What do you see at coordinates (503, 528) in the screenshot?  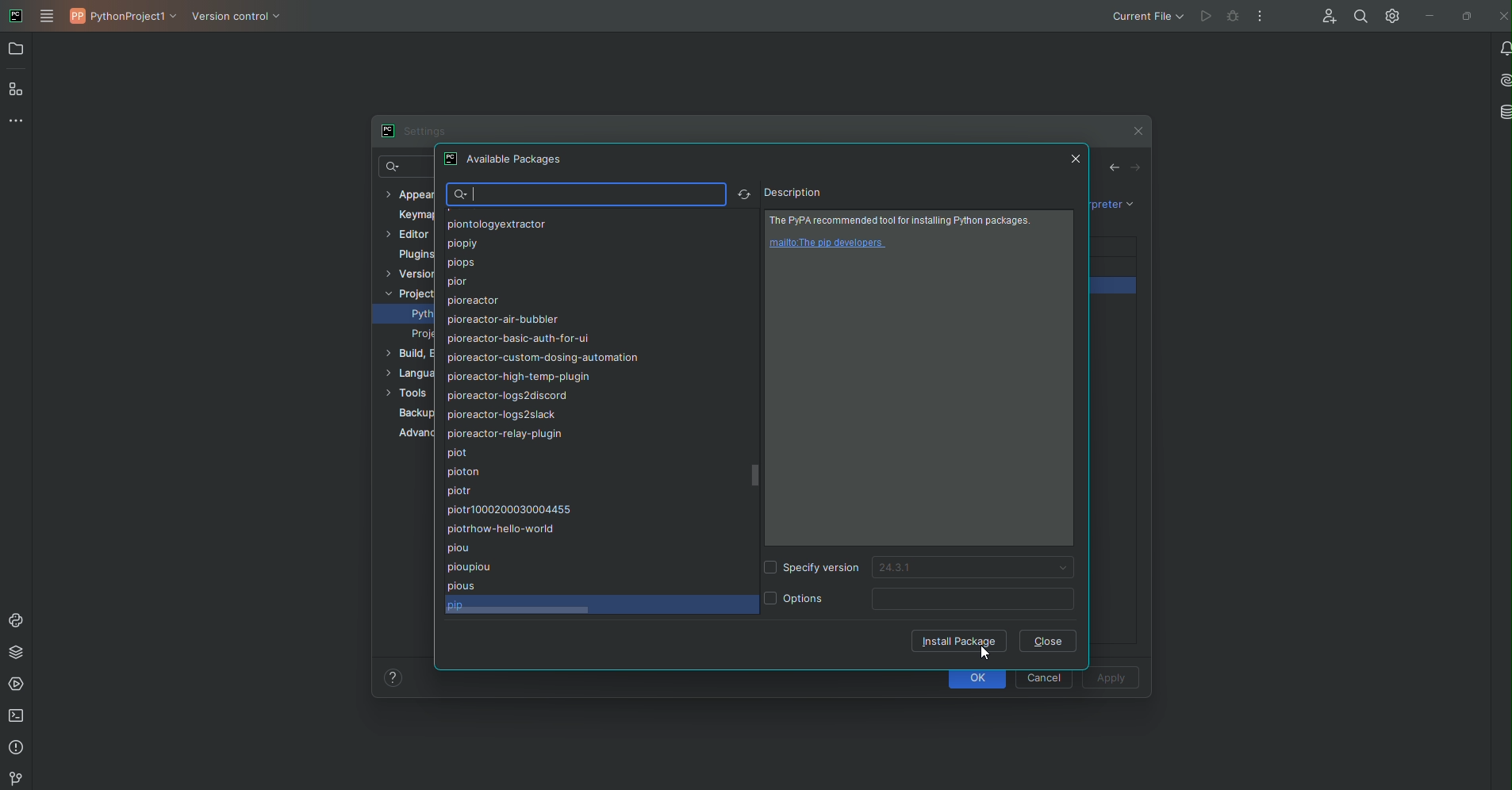 I see `piotrhow-hello-world` at bounding box center [503, 528].